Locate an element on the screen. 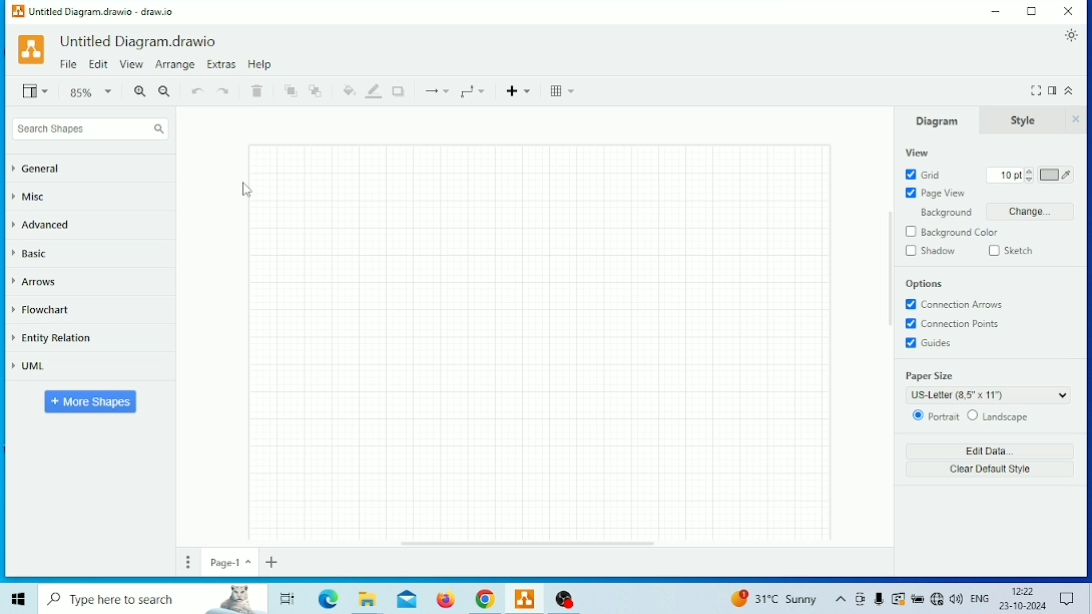 This screenshot has width=1092, height=614. UML is located at coordinates (30, 365).